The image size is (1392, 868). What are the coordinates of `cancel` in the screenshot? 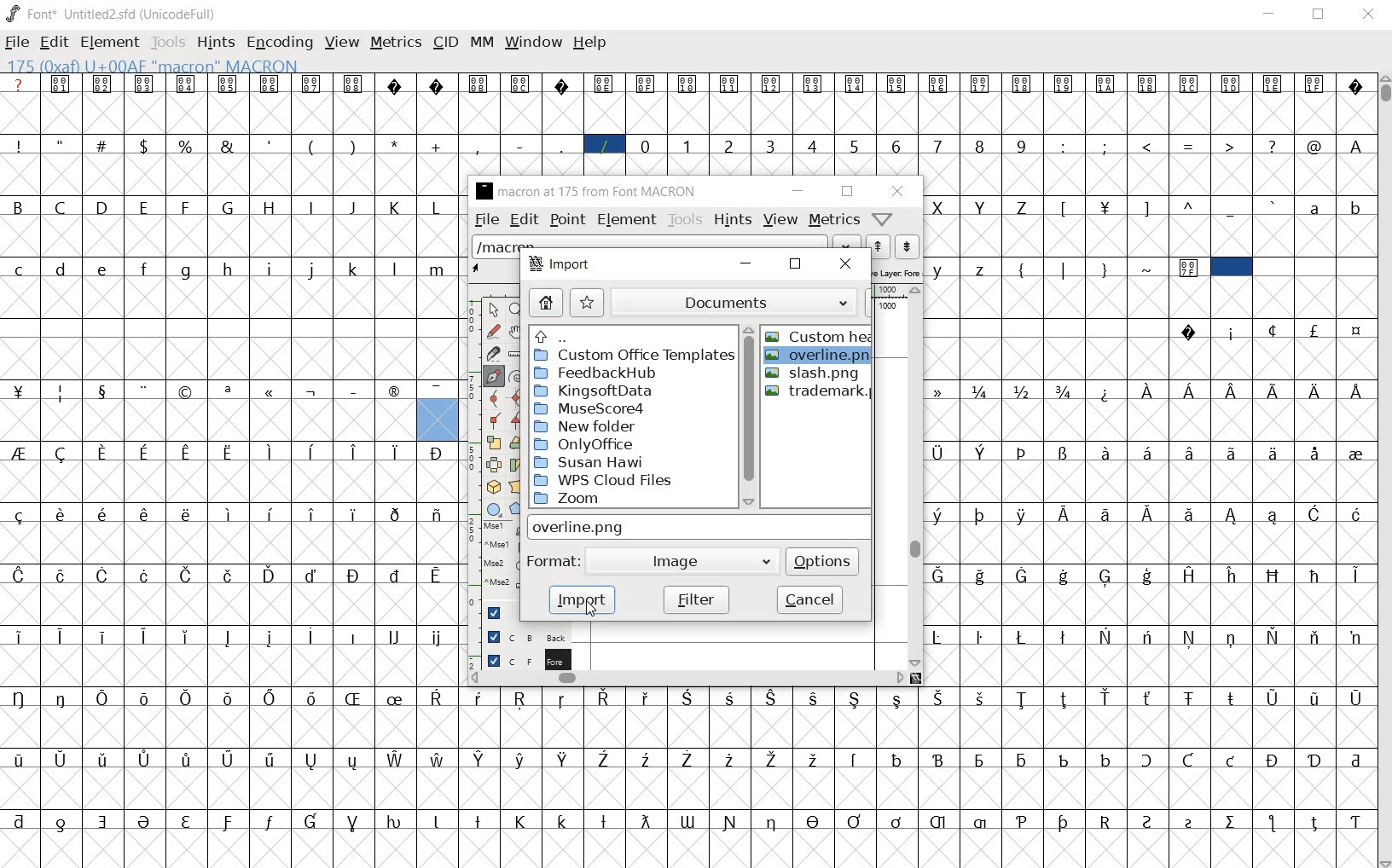 It's located at (809, 599).